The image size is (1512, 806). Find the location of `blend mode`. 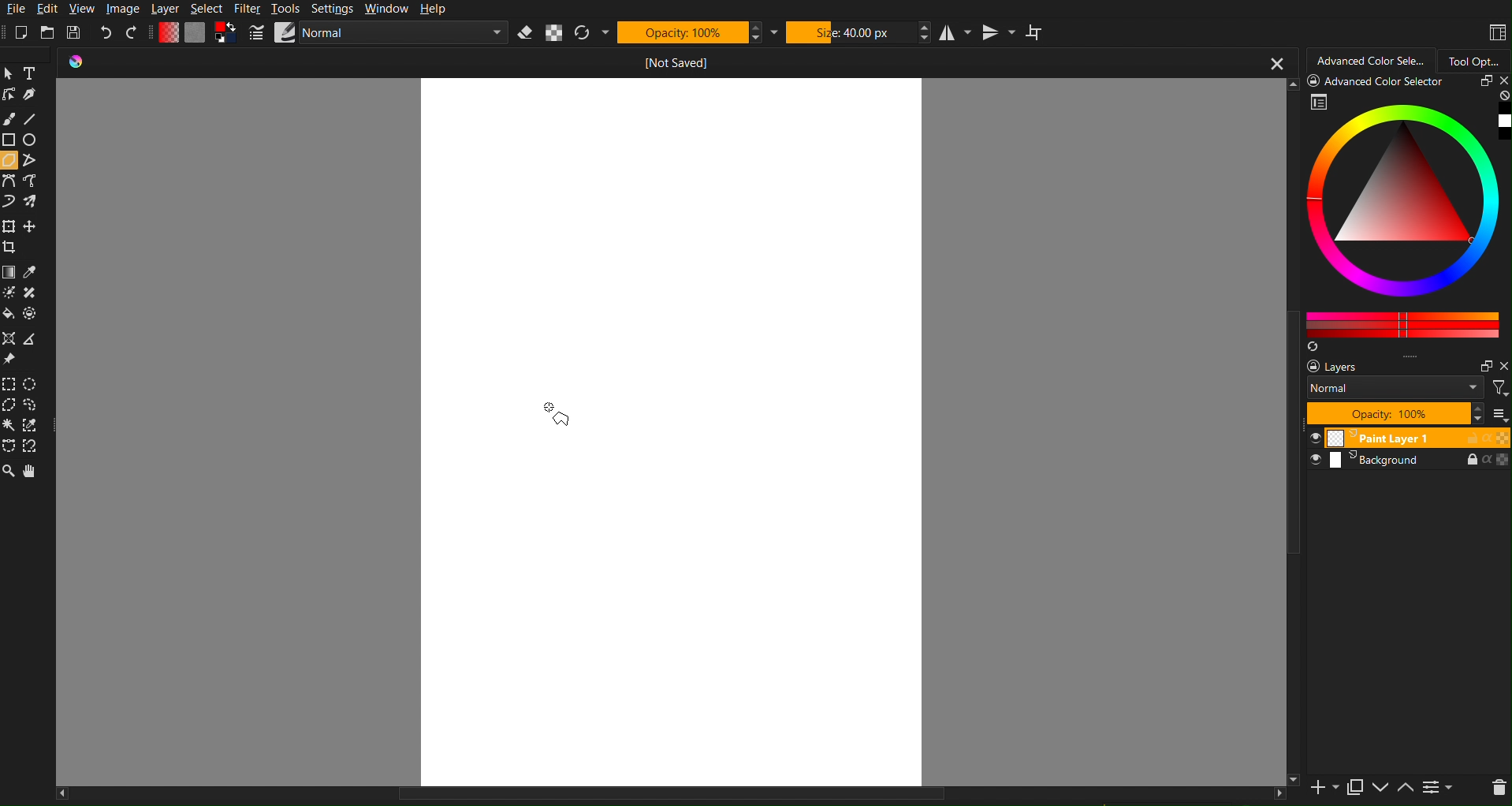

blend mode is located at coordinates (1398, 389).